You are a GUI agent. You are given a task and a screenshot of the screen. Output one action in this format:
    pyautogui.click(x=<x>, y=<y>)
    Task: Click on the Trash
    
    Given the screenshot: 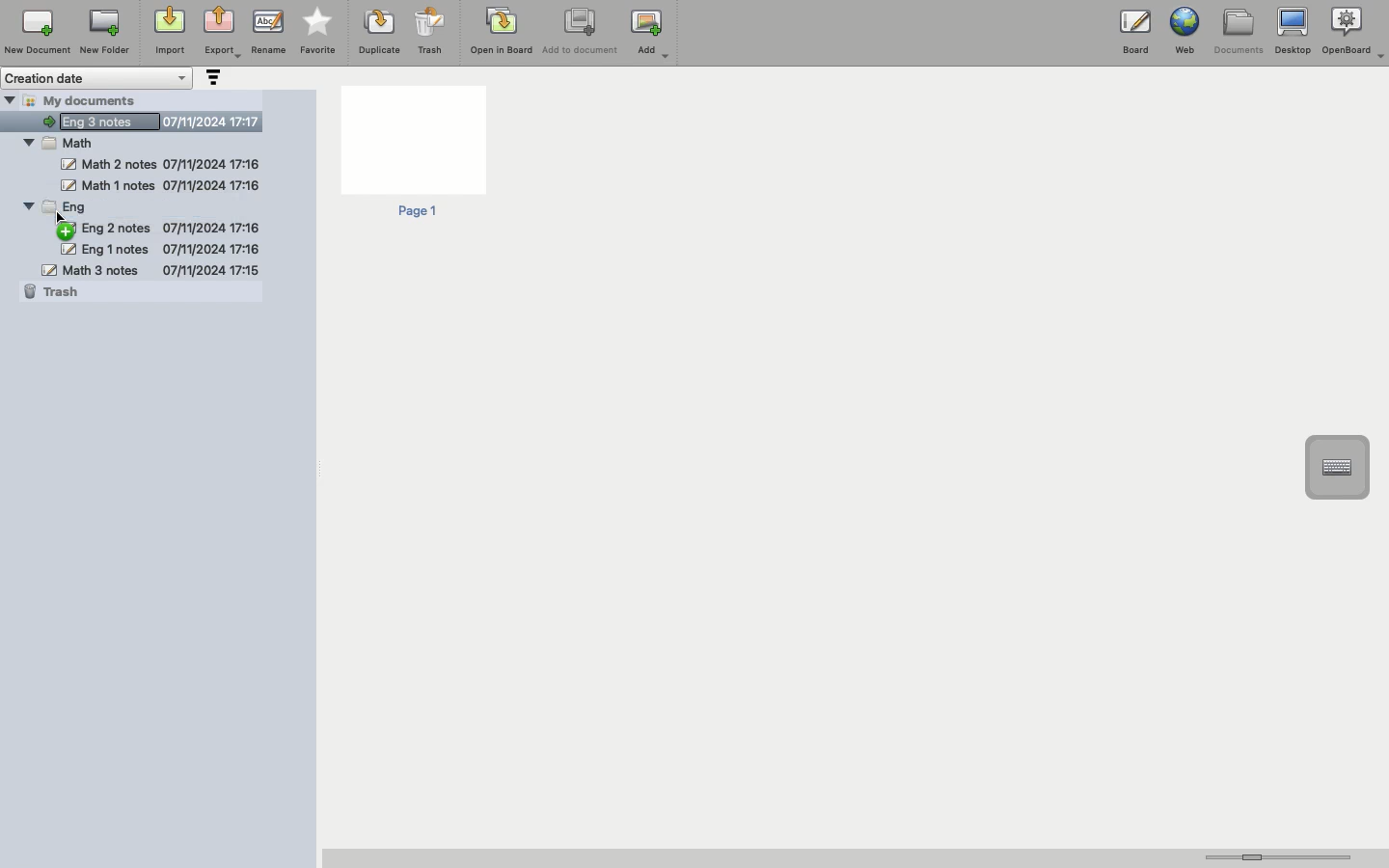 What is the action you would take?
    pyautogui.click(x=55, y=292)
    